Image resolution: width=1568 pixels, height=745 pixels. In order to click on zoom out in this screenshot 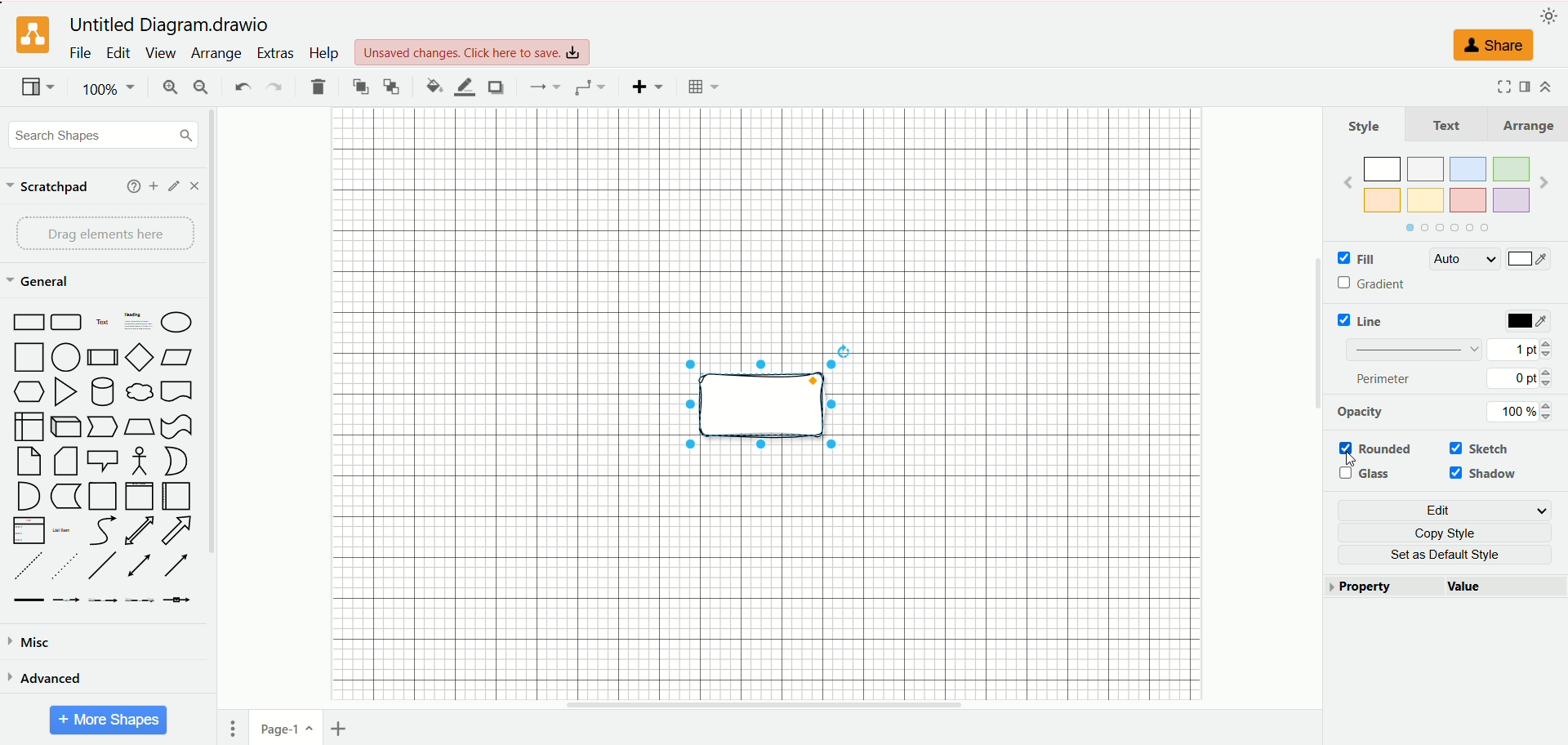, I will do `click(202, 87)`.